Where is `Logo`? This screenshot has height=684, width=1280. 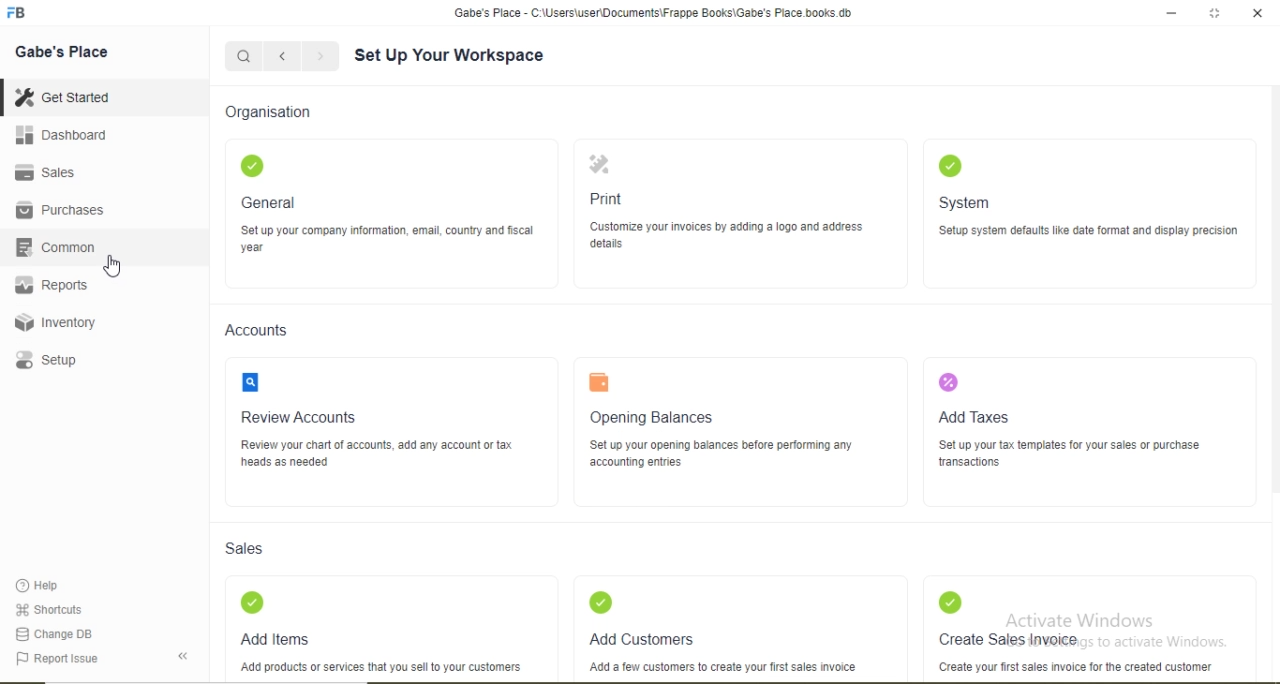 Logo is located at coordinates (253, 603).